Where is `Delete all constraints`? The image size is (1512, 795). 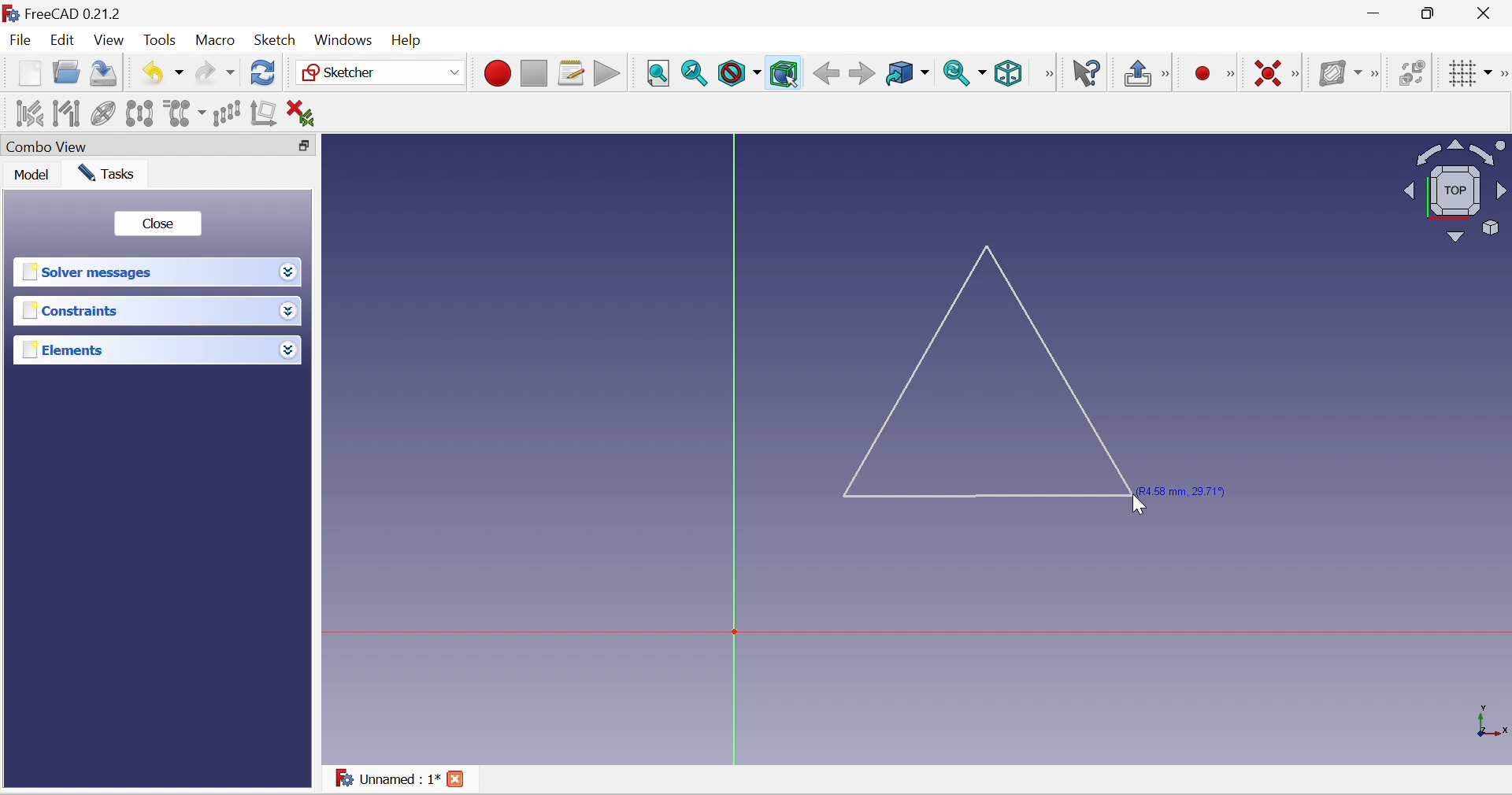
Delete all constraints is located at coordinates (301, 115).